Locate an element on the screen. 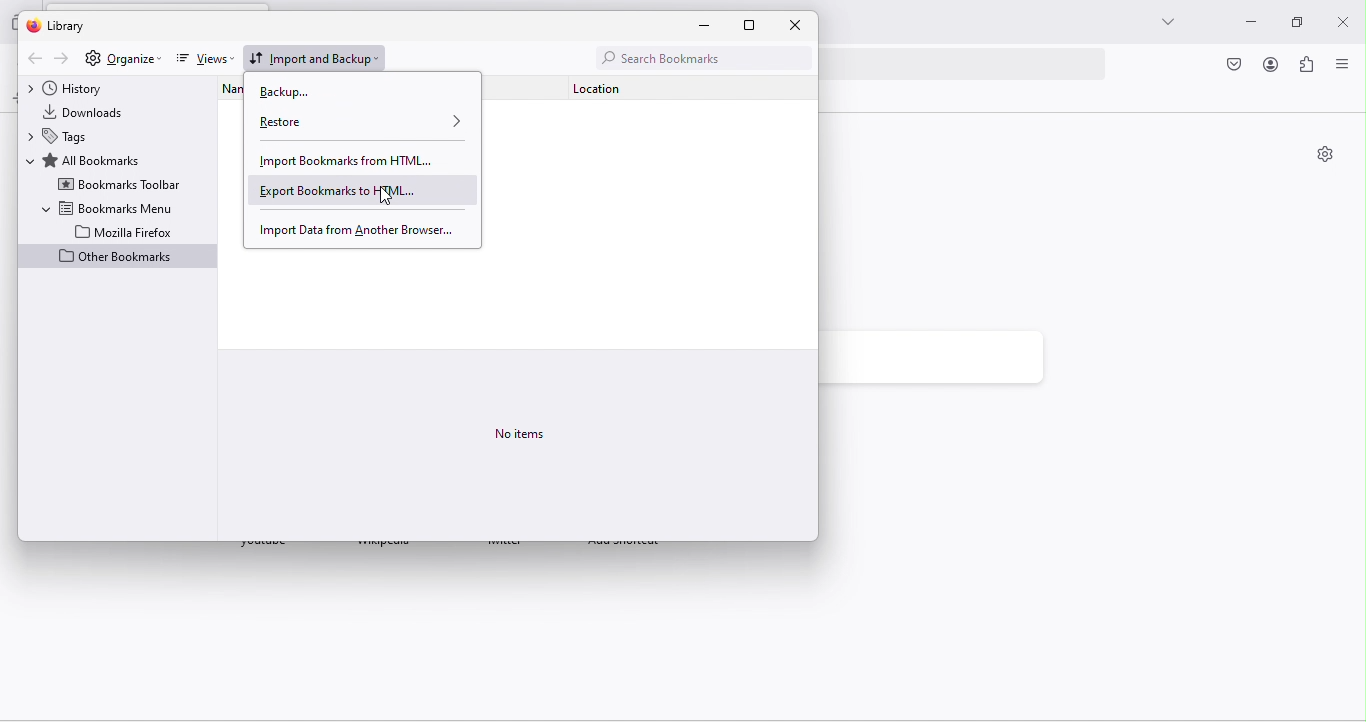  maximize is located at coordinates (1291, 23).